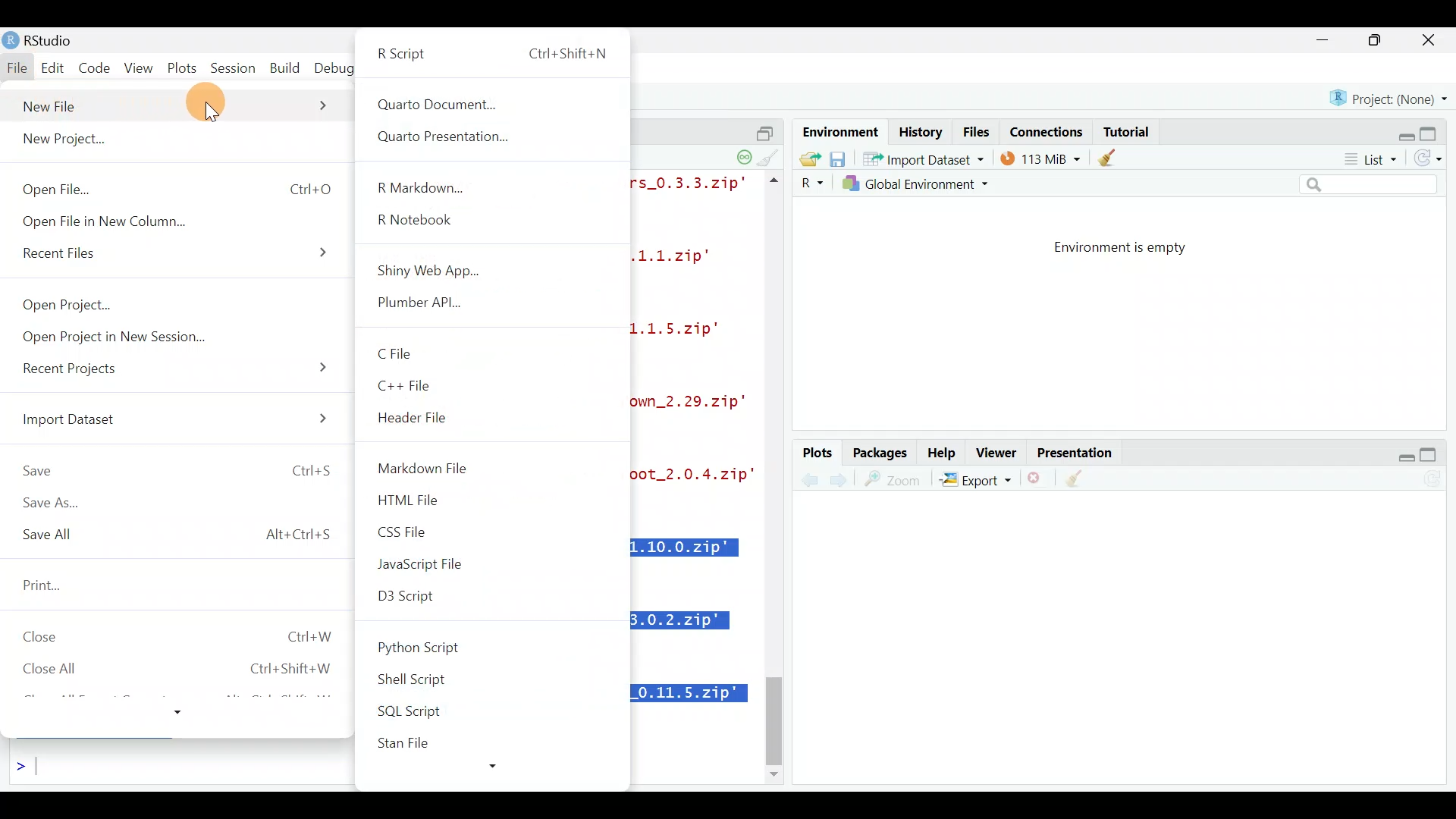  Describe the element at coordinates (770, 156) in the screenshot. I see `clear console` at that location.